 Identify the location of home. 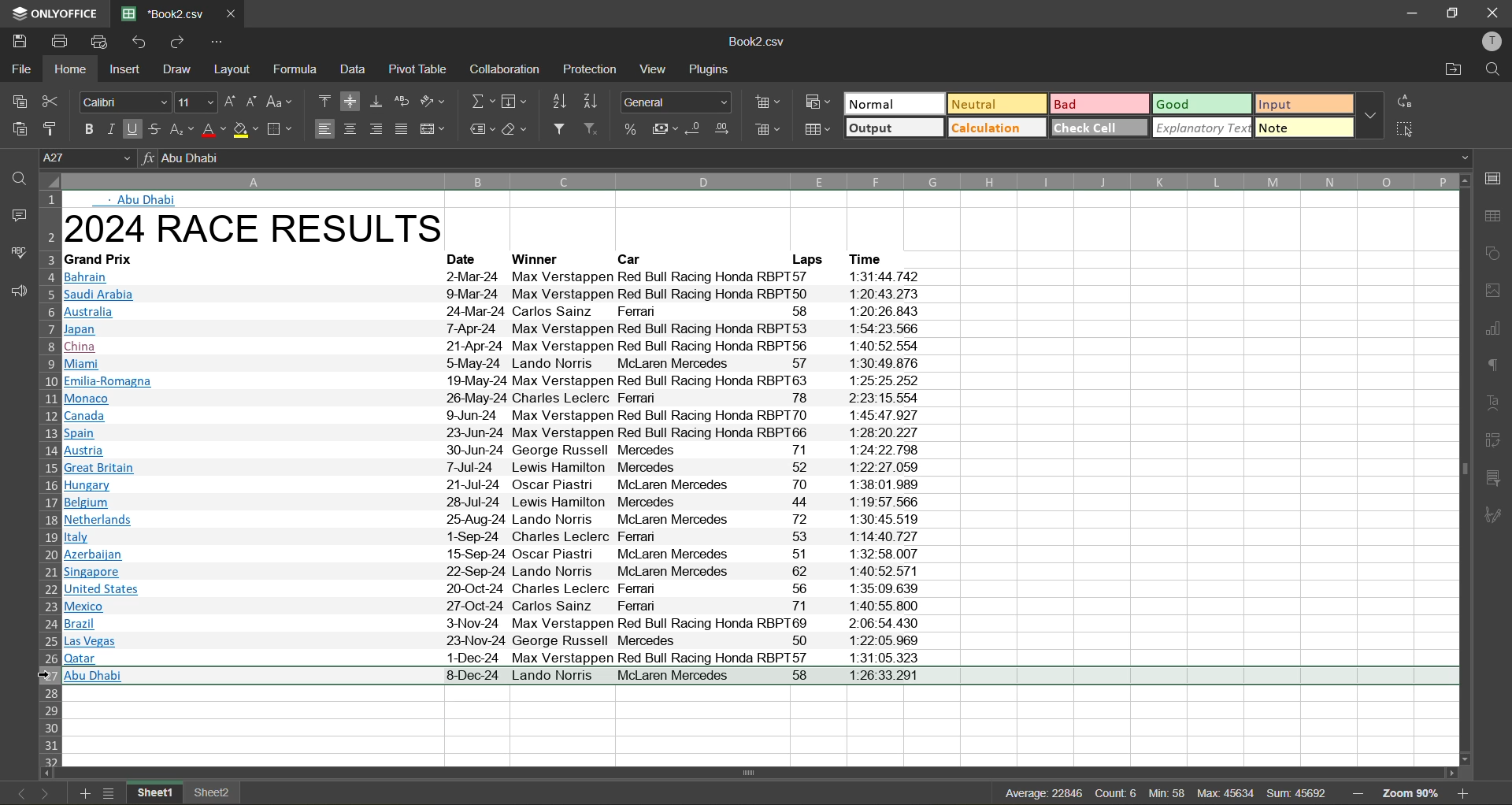
(67, 69).